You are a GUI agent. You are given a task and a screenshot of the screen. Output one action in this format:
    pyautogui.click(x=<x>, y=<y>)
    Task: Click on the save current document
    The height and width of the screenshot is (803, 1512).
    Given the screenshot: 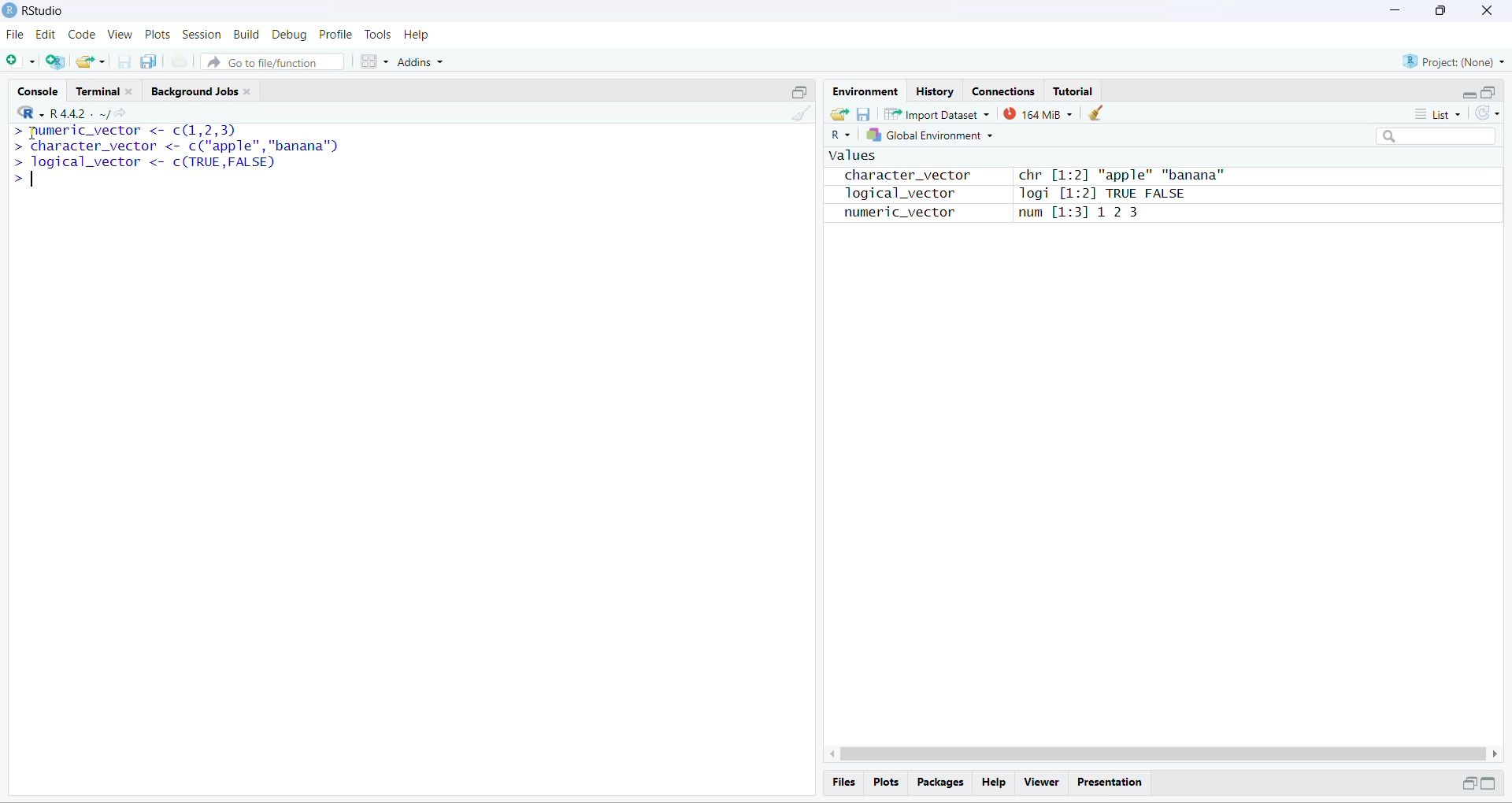 What is the action you would take?
    pyautogui.click(x=124, y=62)
    